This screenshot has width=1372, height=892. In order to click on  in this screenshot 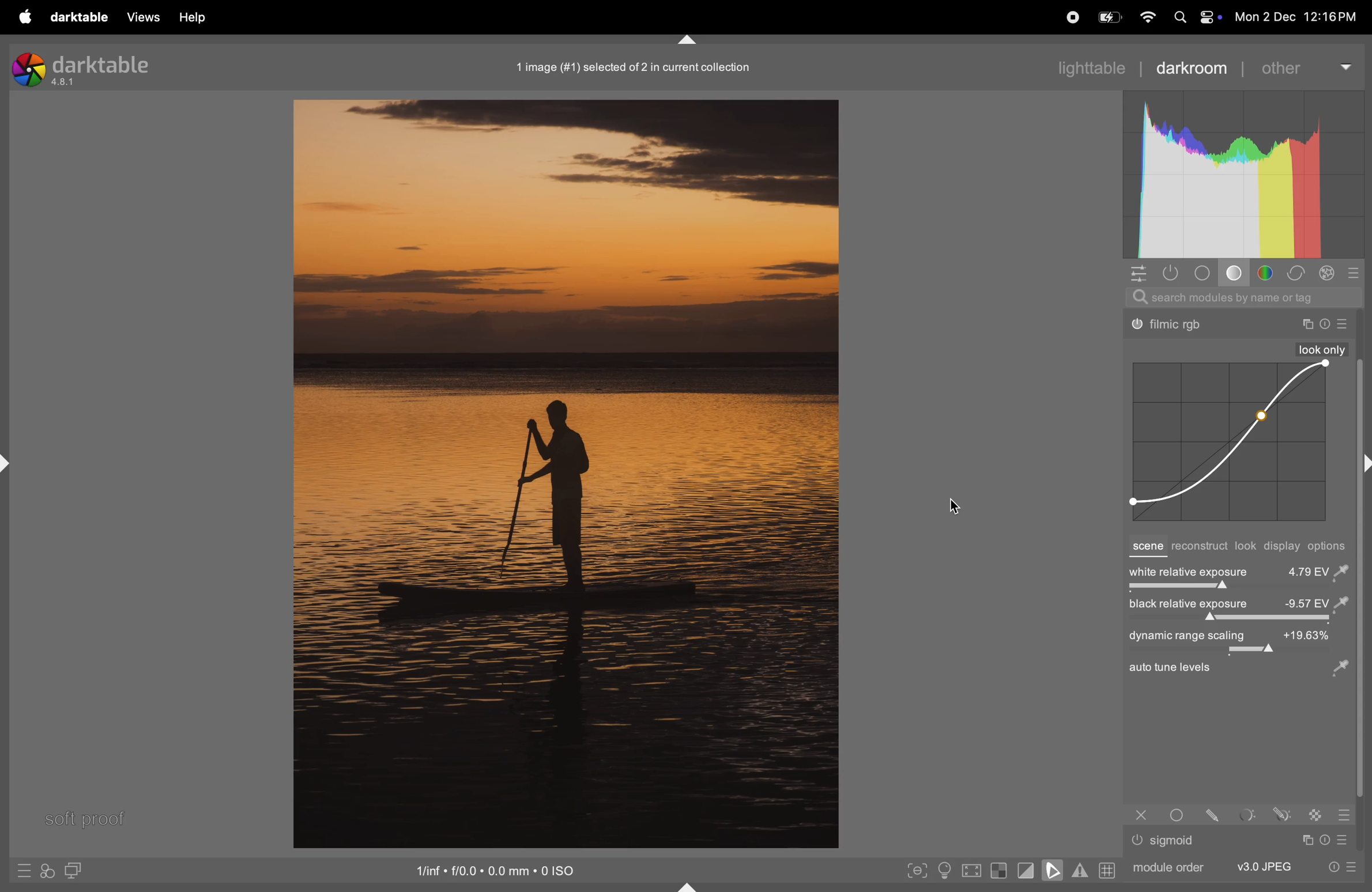, I will do `click(1306, 324)`.